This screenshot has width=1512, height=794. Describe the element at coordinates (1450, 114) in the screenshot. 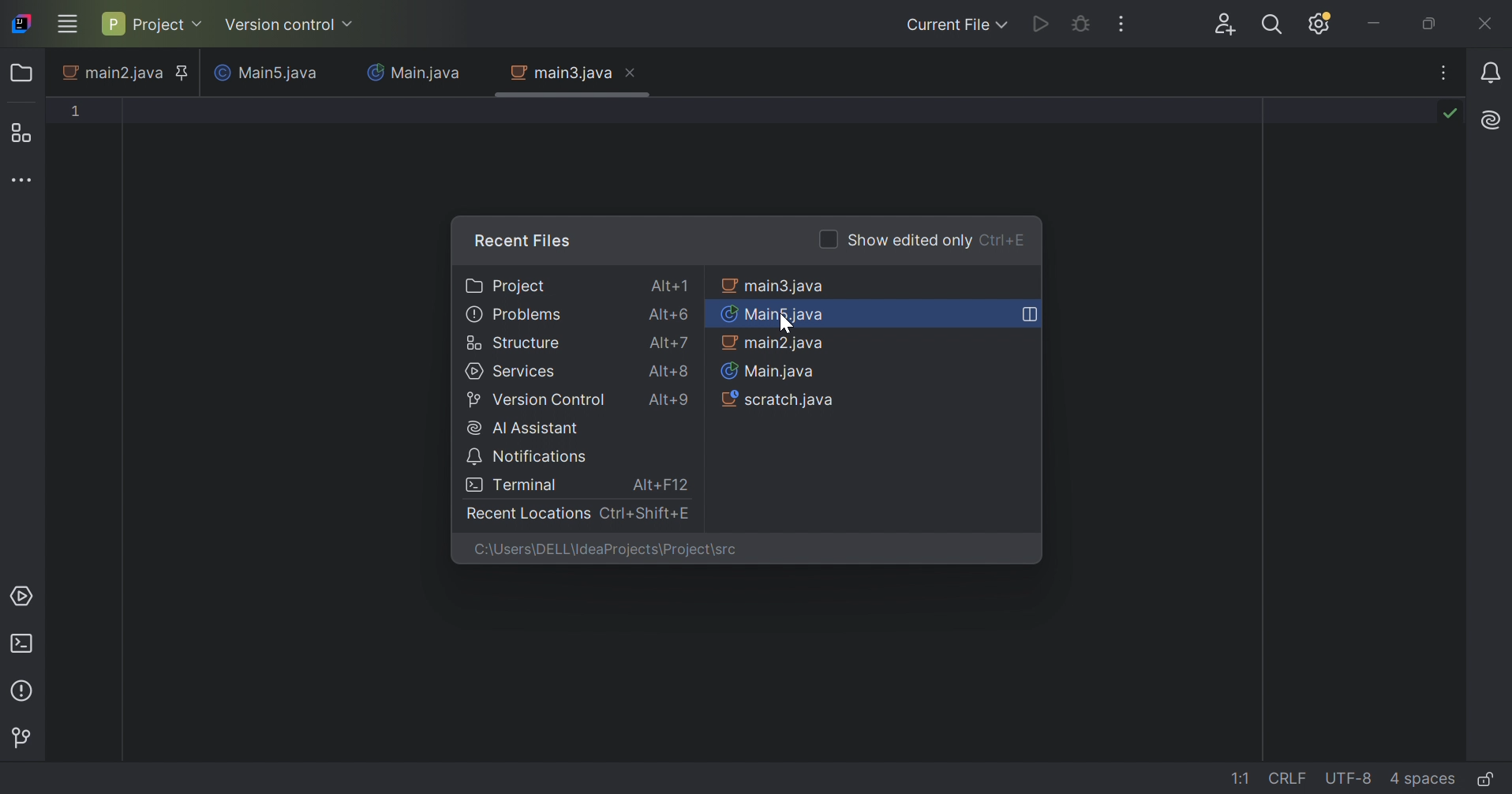

I see `No problems found` at that location.